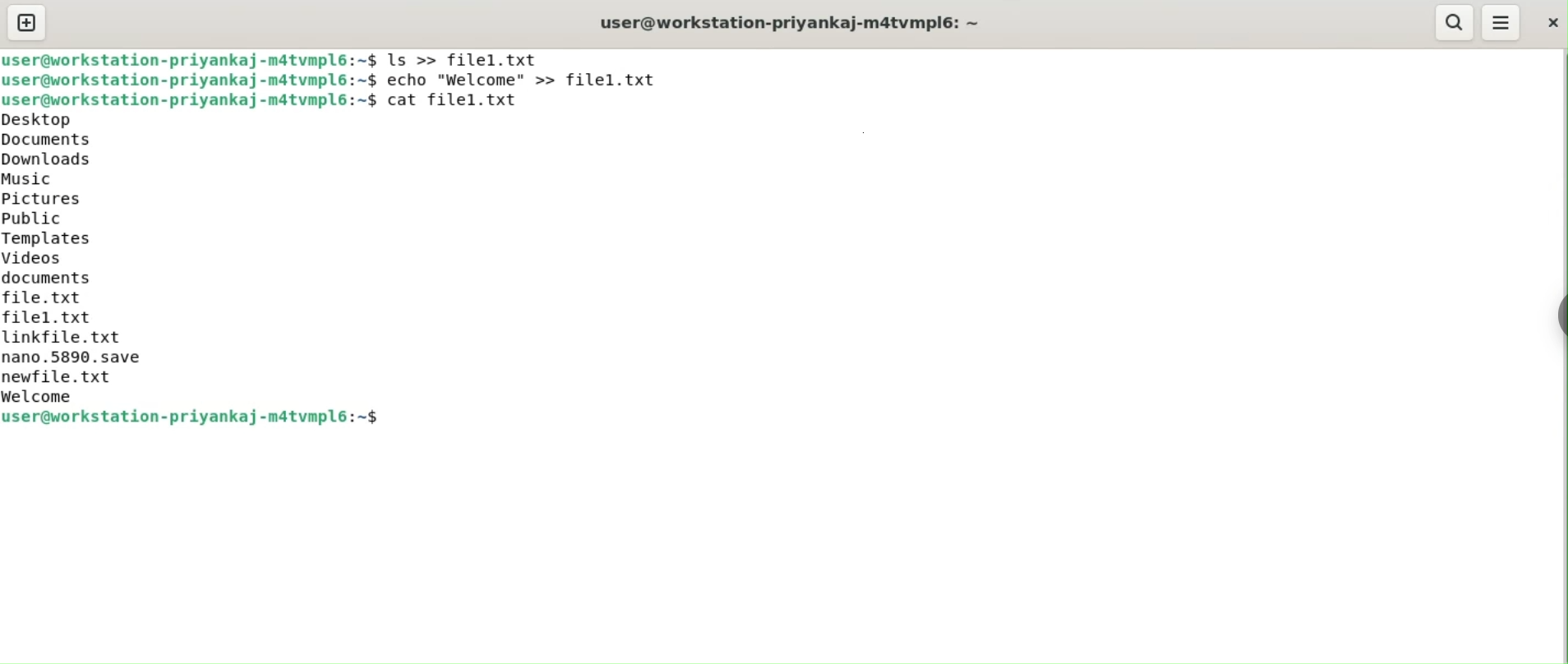 The image size is (1568, 664). What do you see at coordinates (27, 22) in the screenshot?
I see `new tab` at bounding box center [27, 22].